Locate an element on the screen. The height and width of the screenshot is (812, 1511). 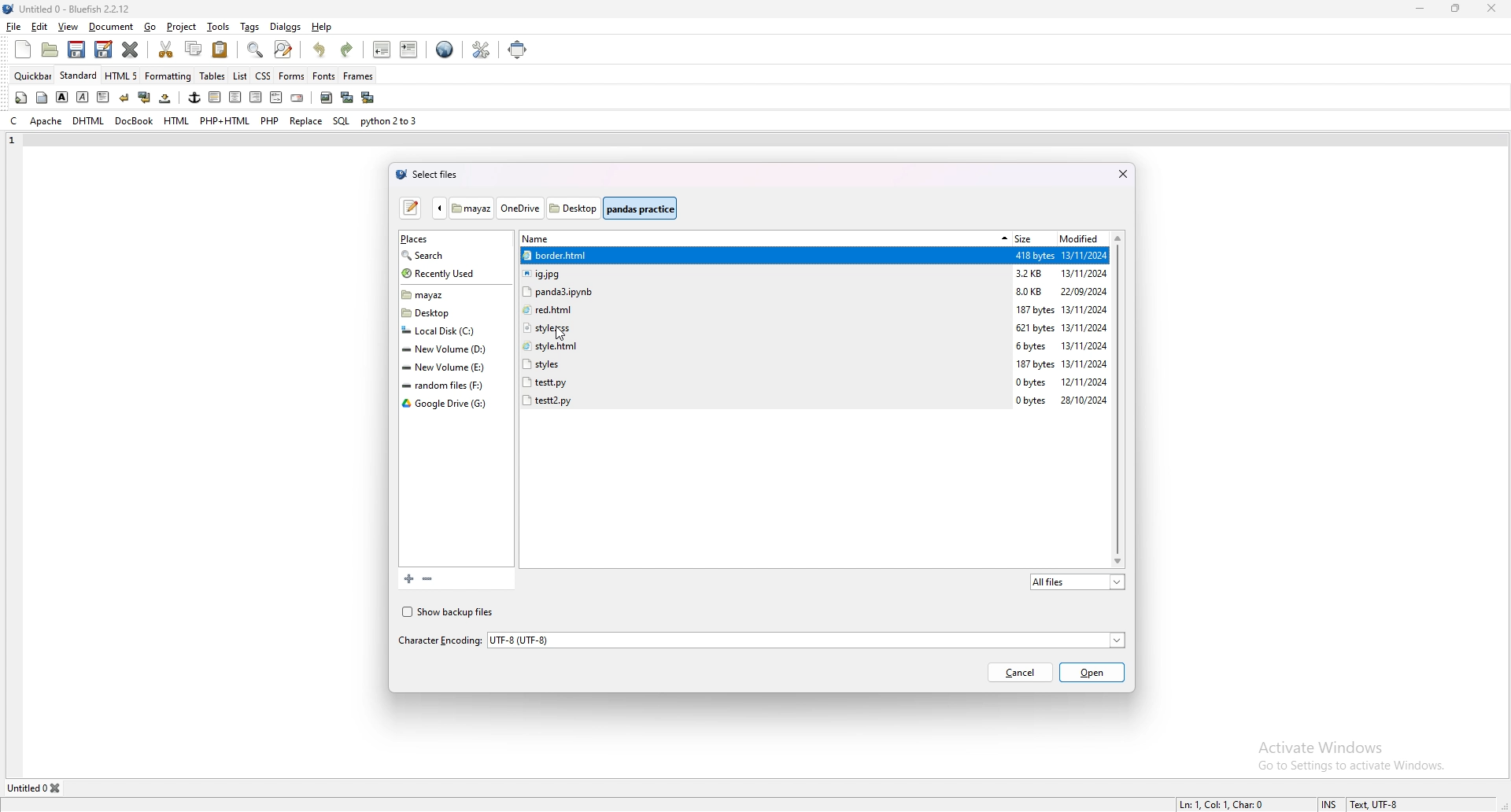
621 bytes is located at coordinates (1036, 328).